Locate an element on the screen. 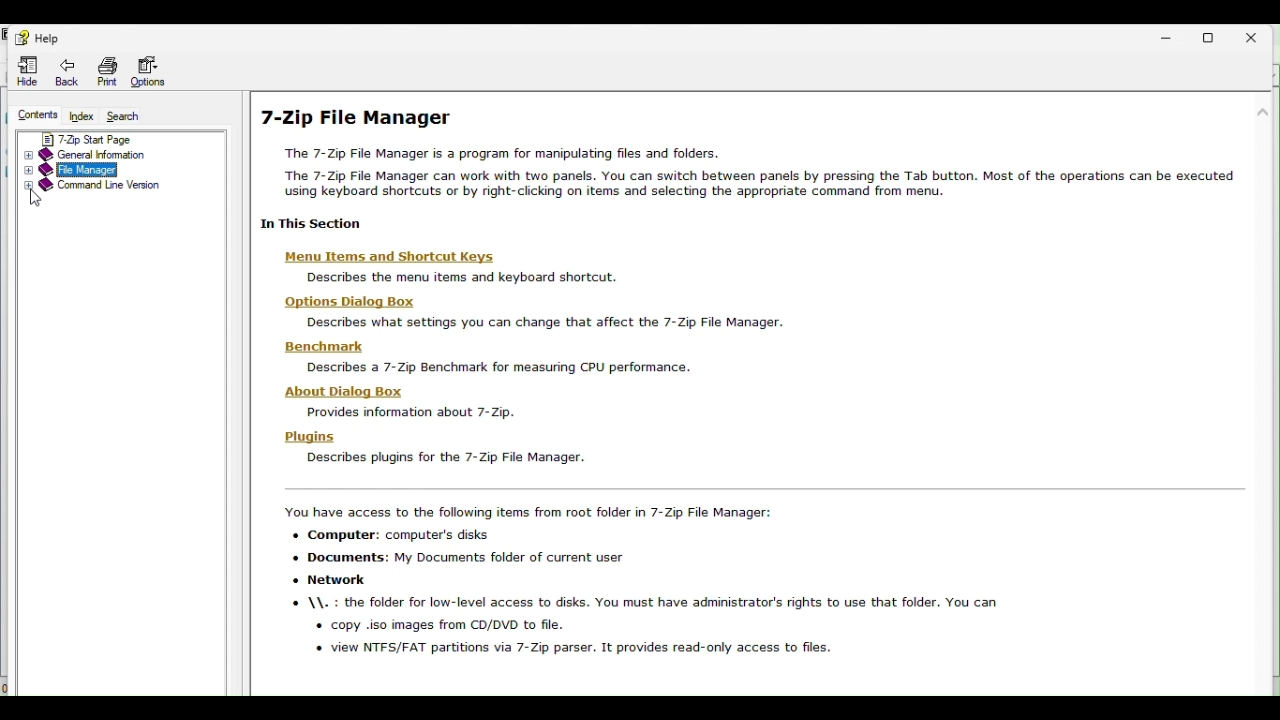 This screenshot has width=1280, height=720. Hons Di: is located at coordinates (352, 302).